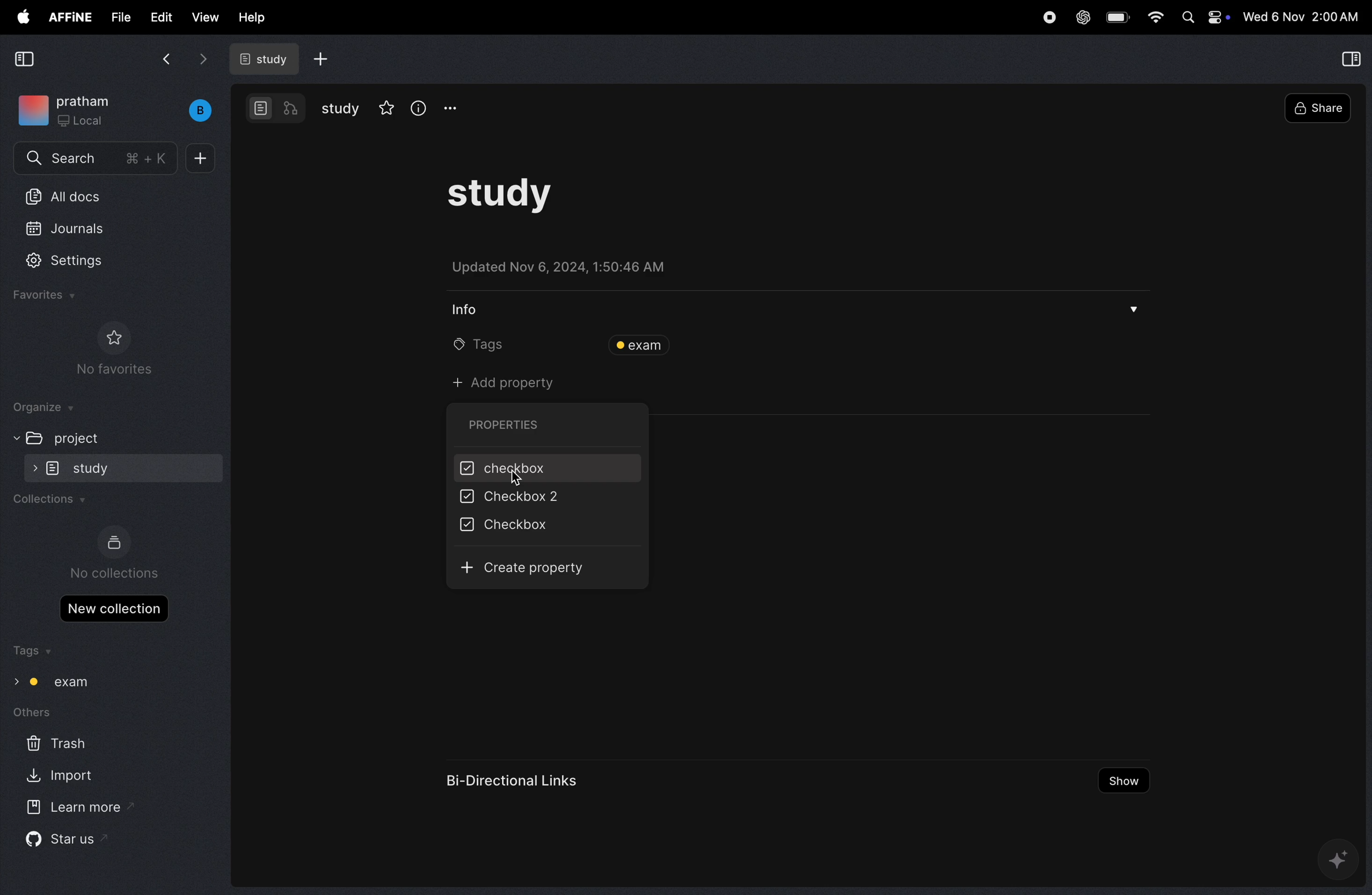 Image resolution: width=1372 pixels, height=895 pixels. What do you see at coordinates (1203, 20) in the screenshot?
I see `Apple widgets` at bounding box center [1203, 20].